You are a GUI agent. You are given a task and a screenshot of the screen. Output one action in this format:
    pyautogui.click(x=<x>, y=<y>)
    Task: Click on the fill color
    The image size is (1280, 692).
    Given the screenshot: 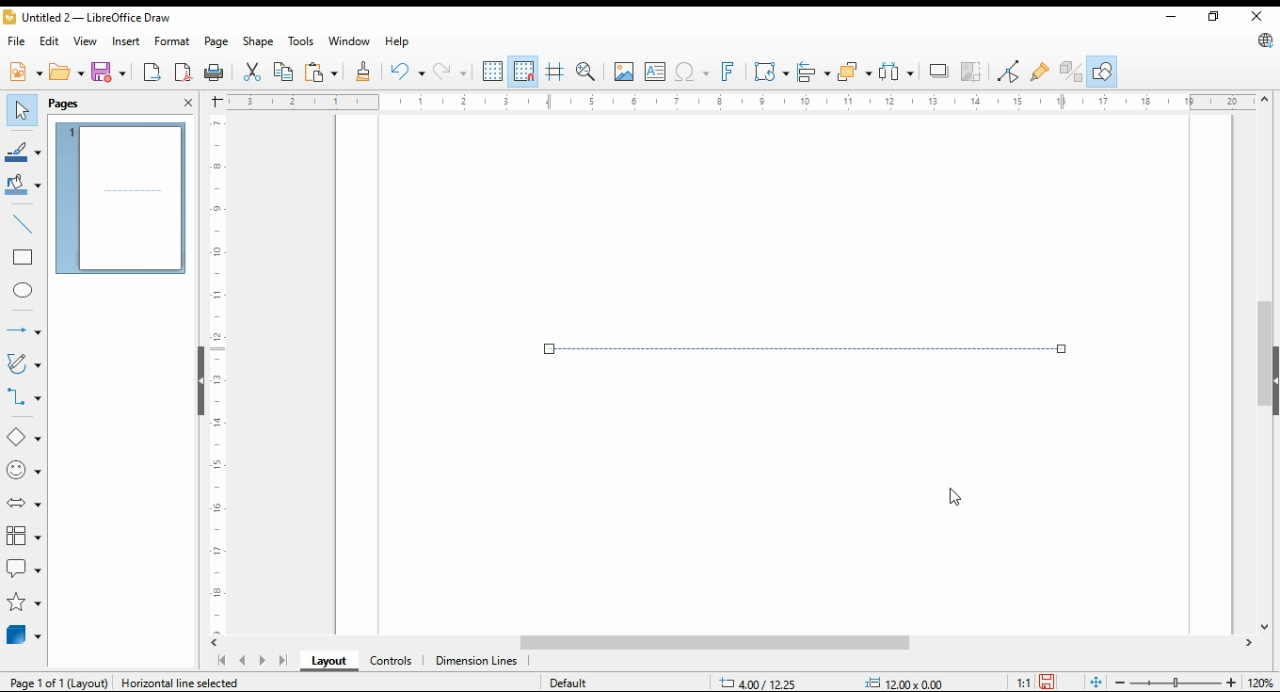 What is the action you would take?
    pyautogui.click(x=23, y=183)
    